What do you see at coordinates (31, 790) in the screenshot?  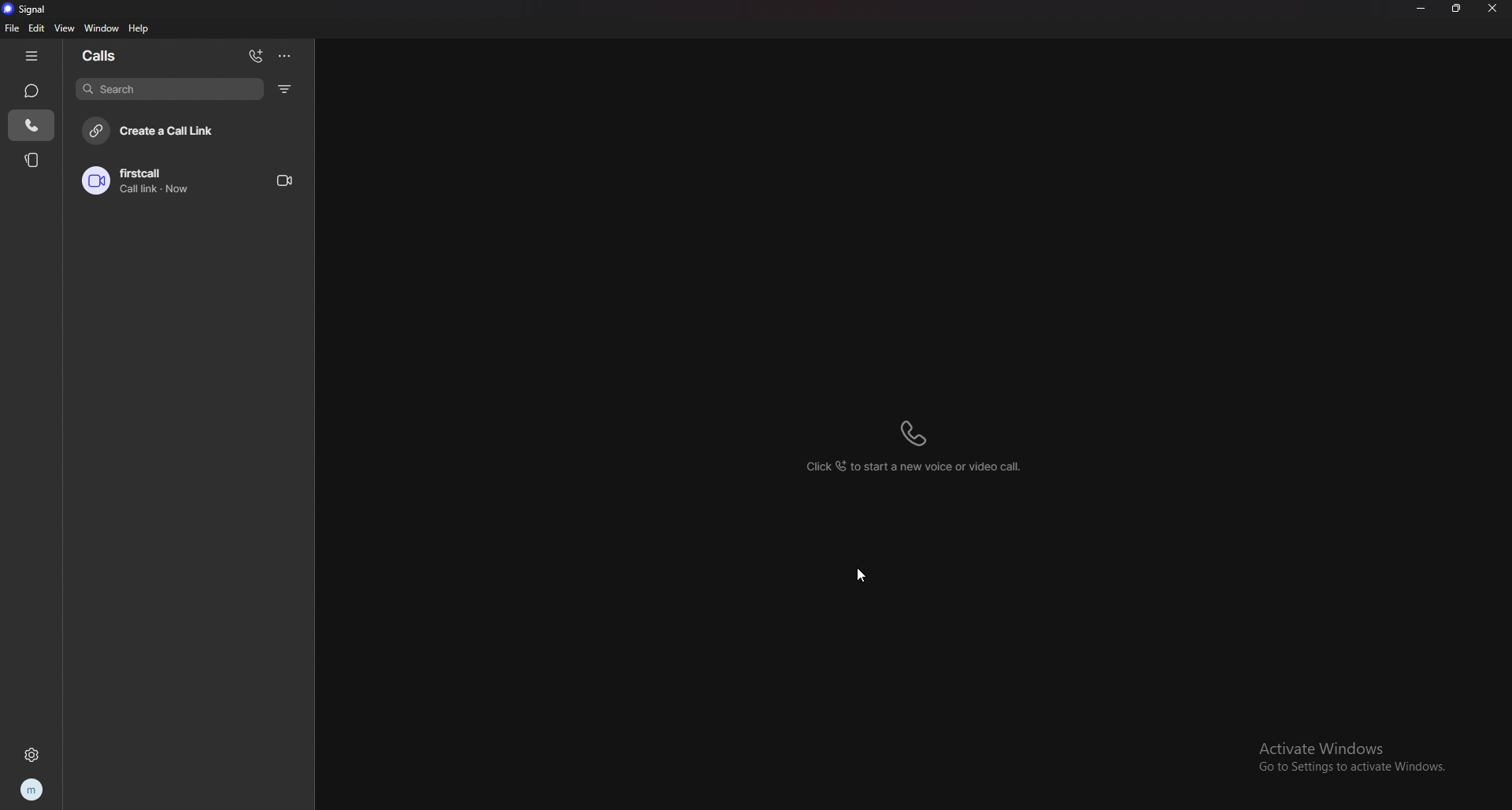 I see `profile` at bounding box center [31, 790].